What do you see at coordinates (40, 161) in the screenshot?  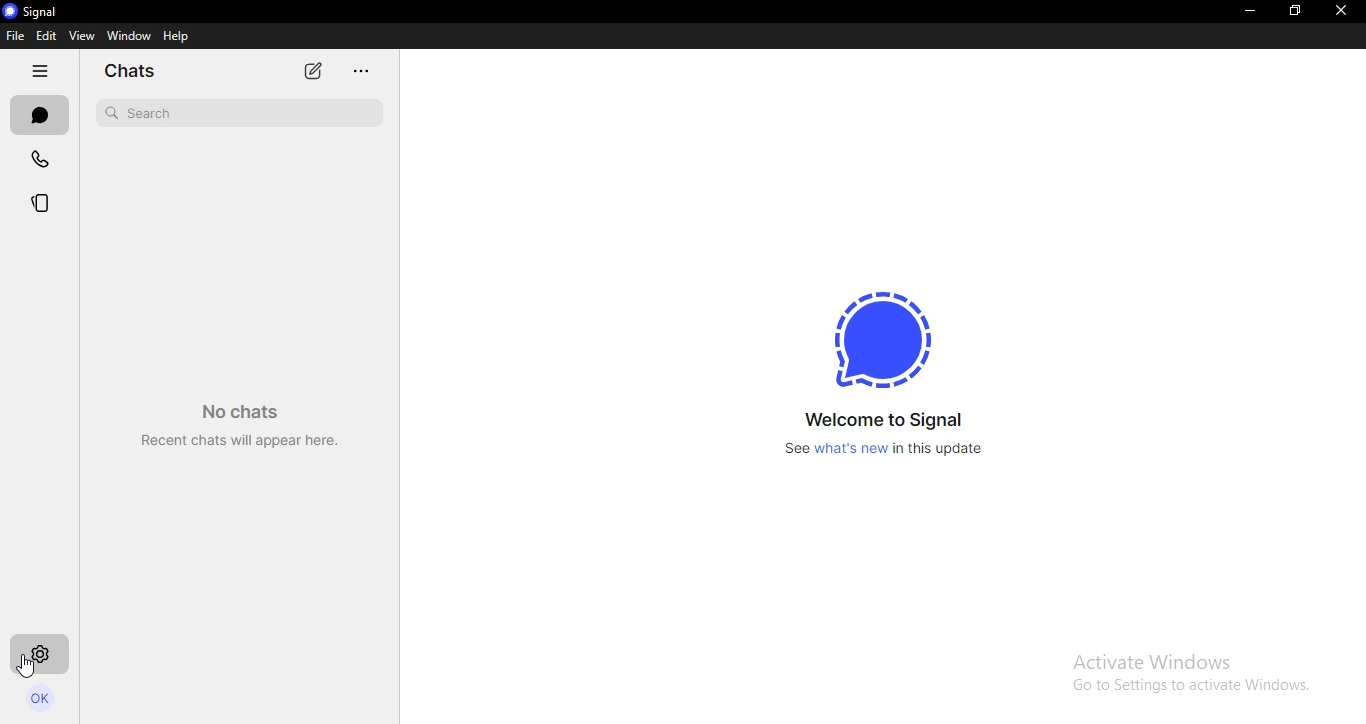 I see `calls` at bounding box center [40, 161].